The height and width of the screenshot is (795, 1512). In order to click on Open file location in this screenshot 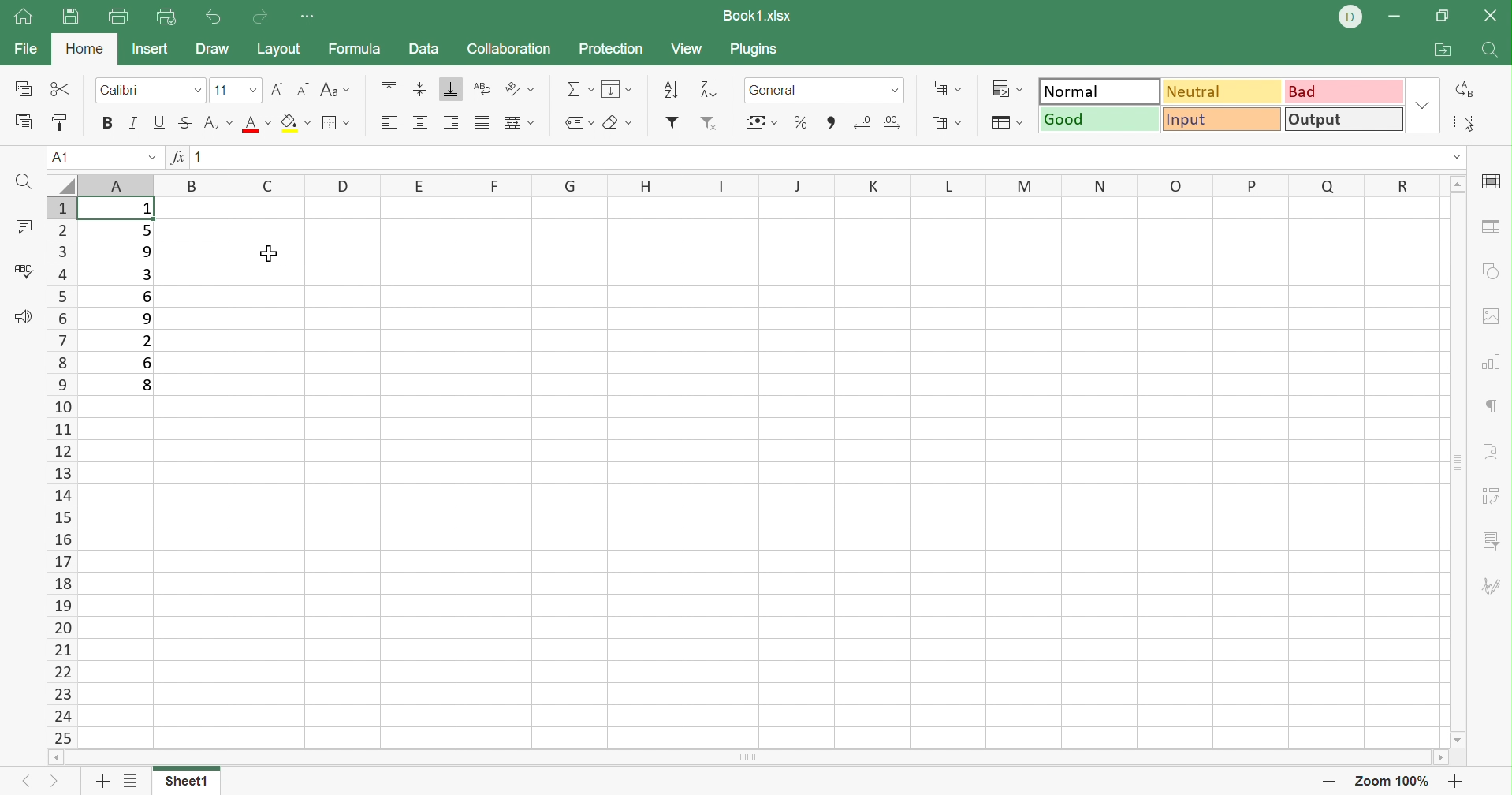, I will do `click(1443, 50)`.